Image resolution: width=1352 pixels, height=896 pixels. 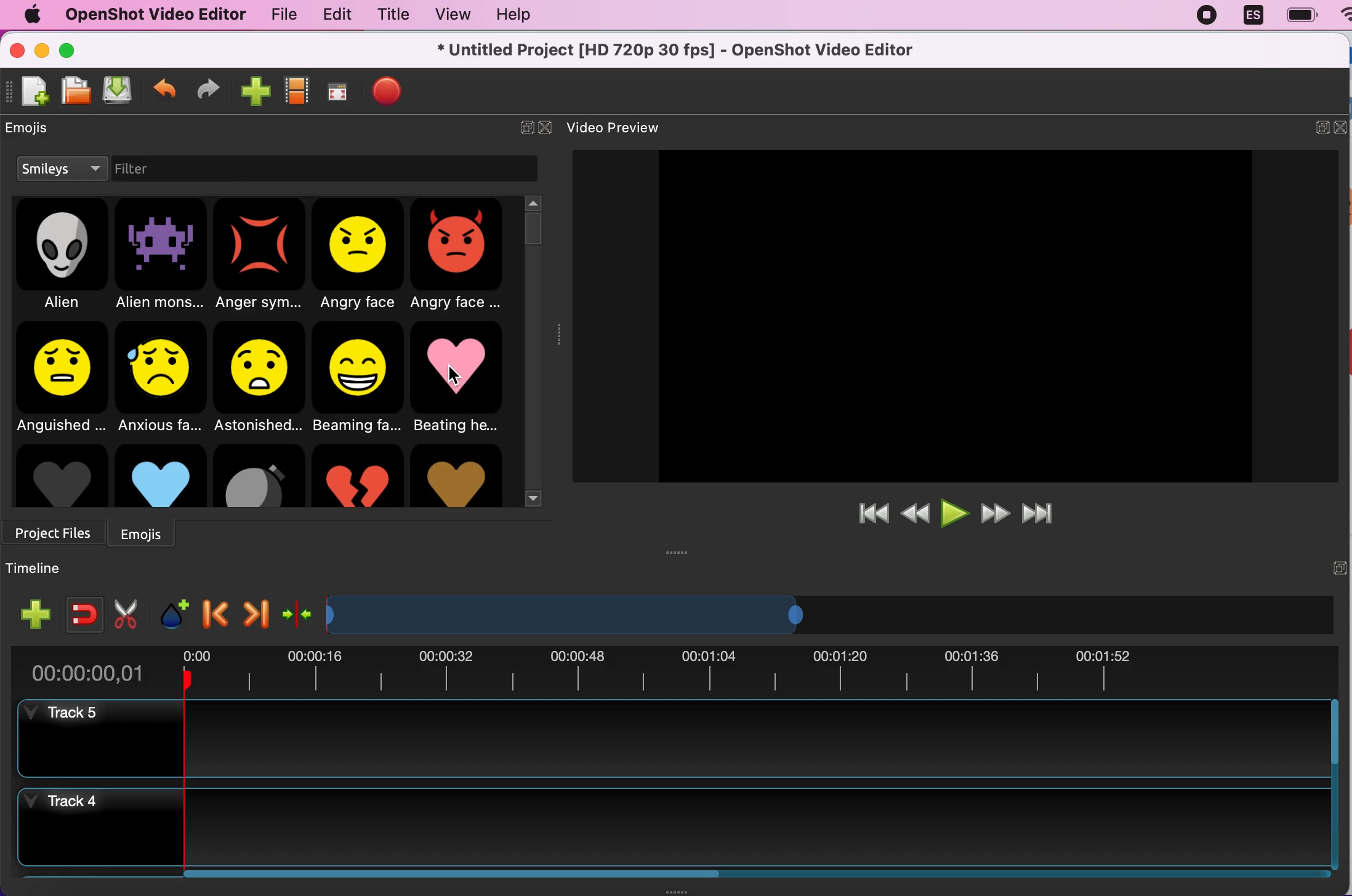 I want to click on fast forward, so click(x=994, y=511).